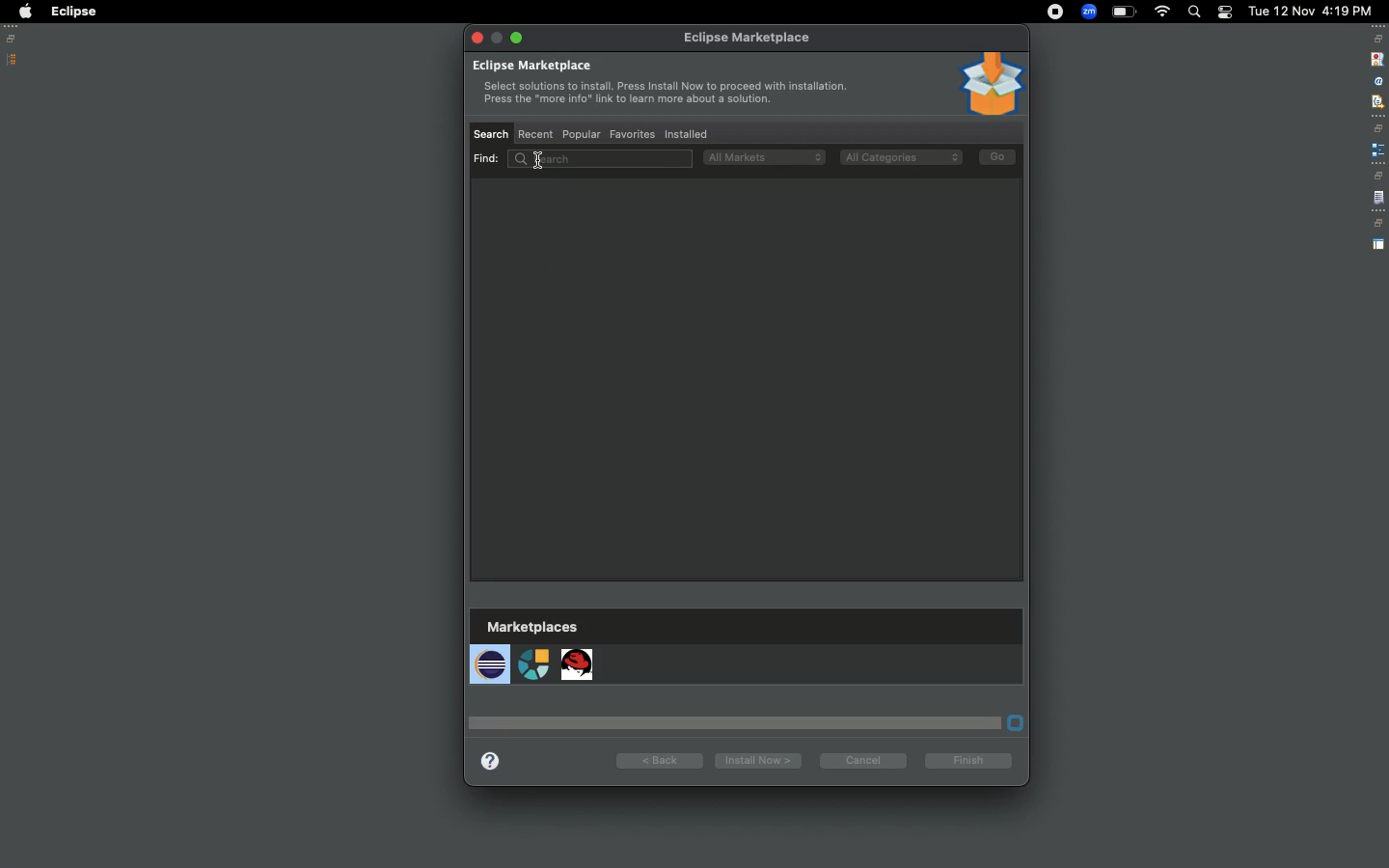 The width and height of the screenshot is (1389, 868). I want to click on restore, so click(1377, 176).